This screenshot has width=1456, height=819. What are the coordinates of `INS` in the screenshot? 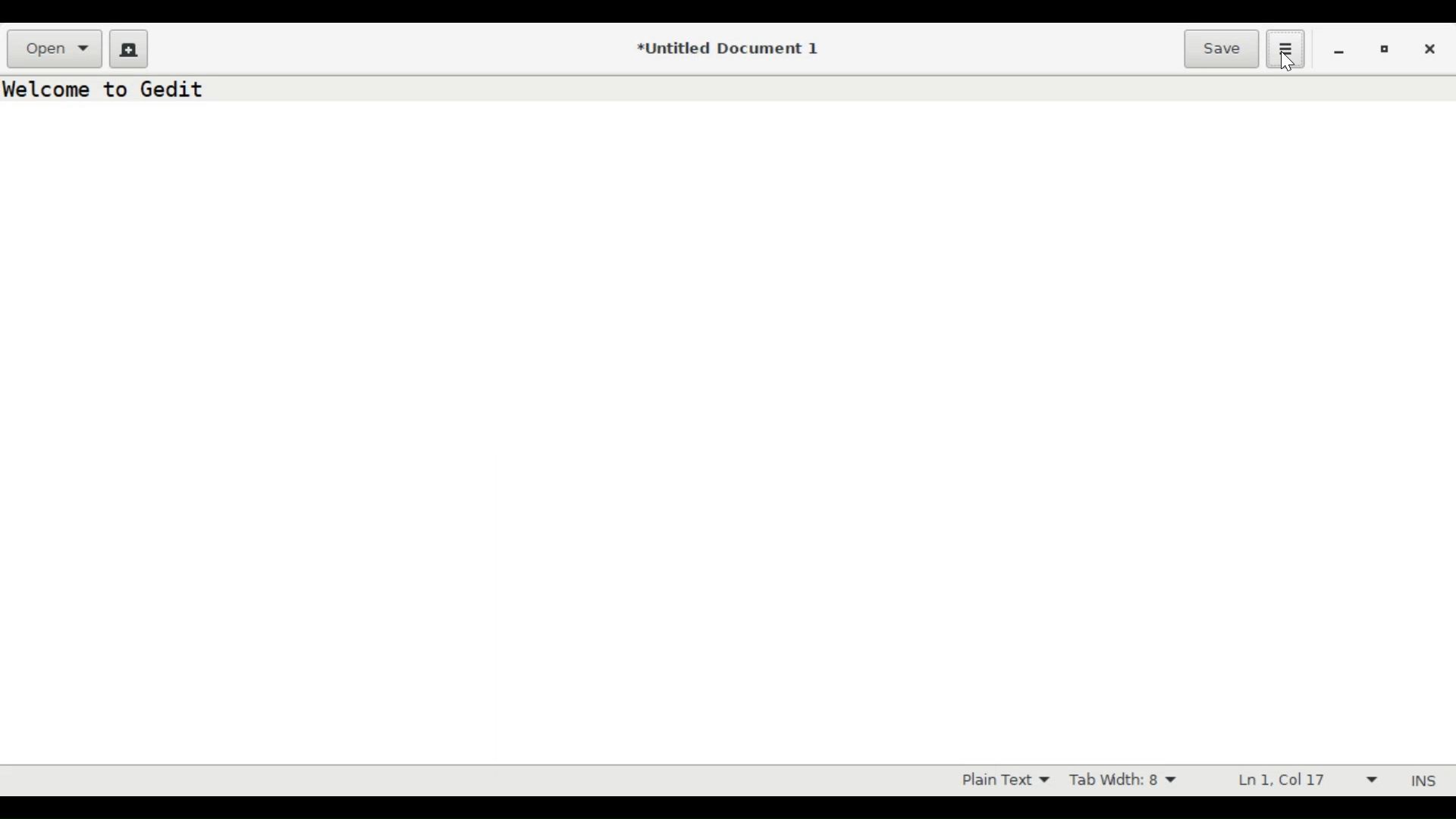 It's located at (1425, 781).